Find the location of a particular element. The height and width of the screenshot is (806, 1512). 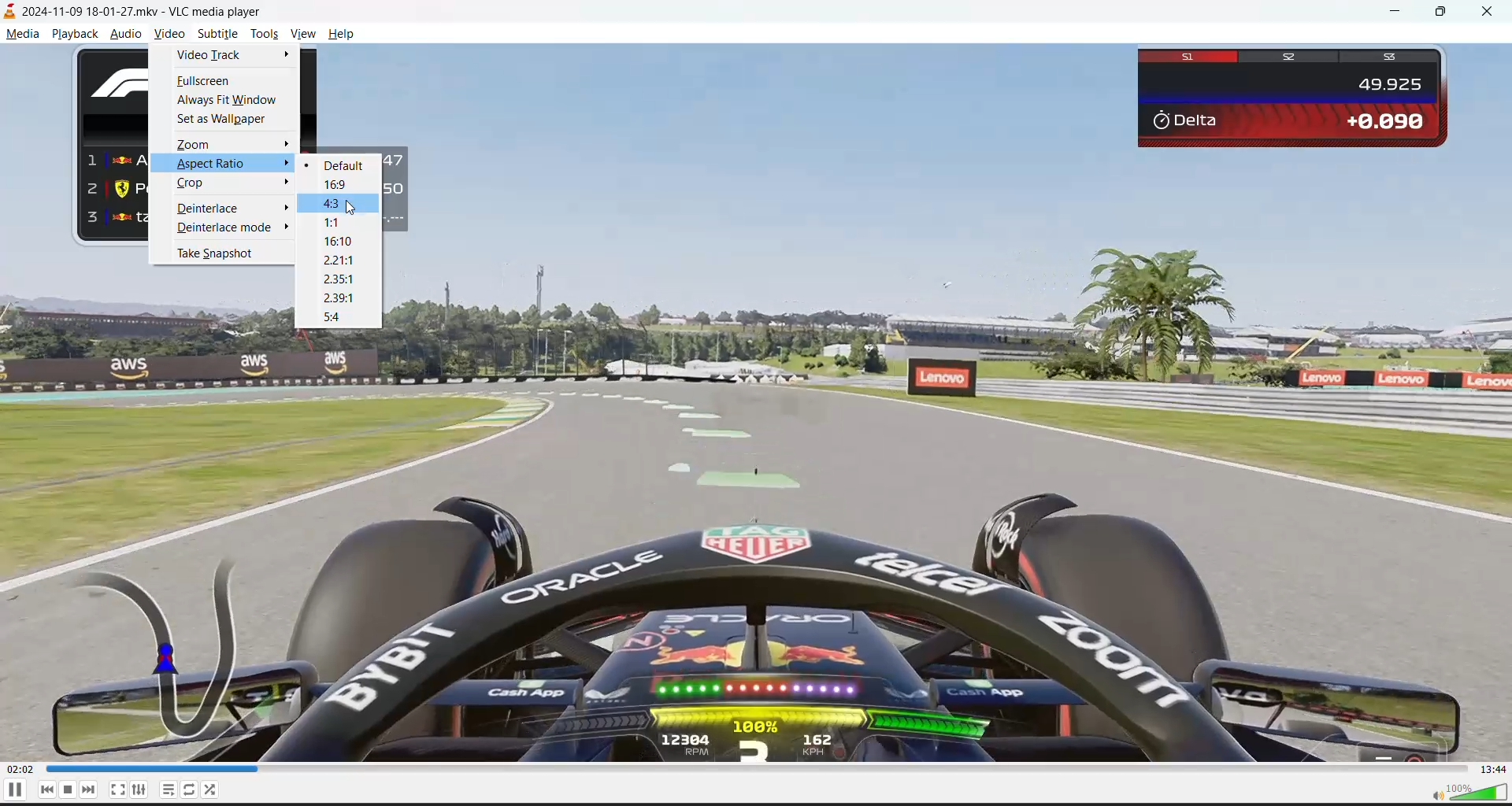

media is located at coordinates (22, 35).